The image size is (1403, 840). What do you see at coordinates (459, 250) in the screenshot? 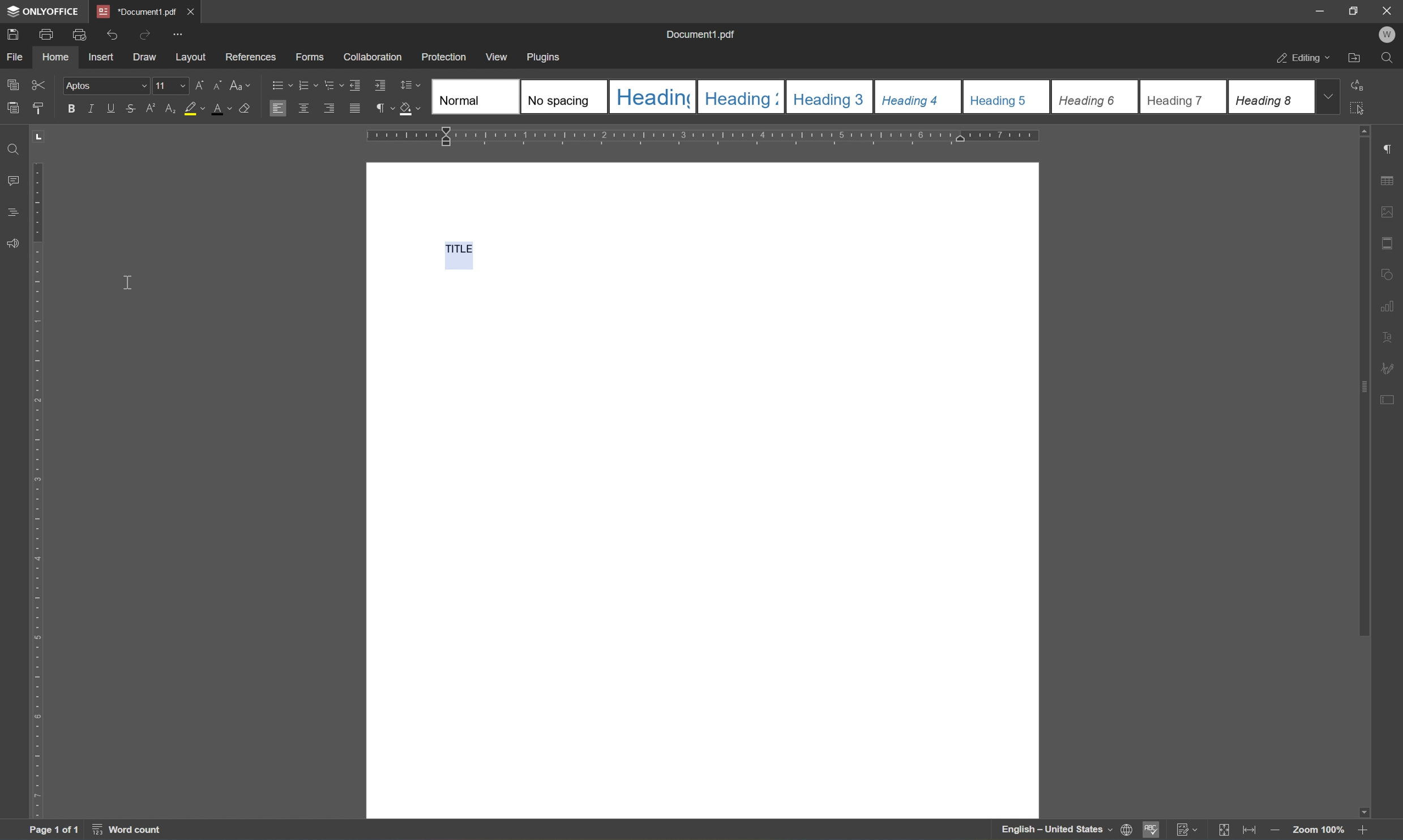
I see `TITLE` at bounding box center [459, 250].